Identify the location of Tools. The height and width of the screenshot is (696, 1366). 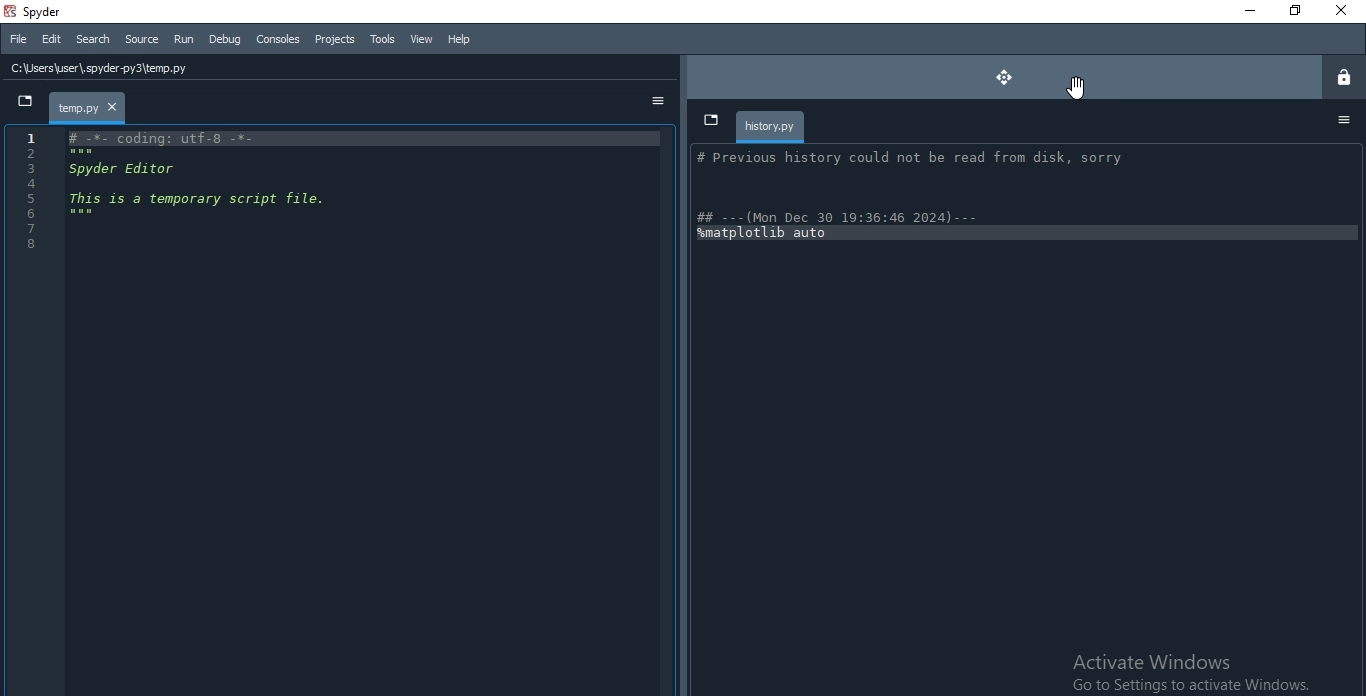
(383, 38).